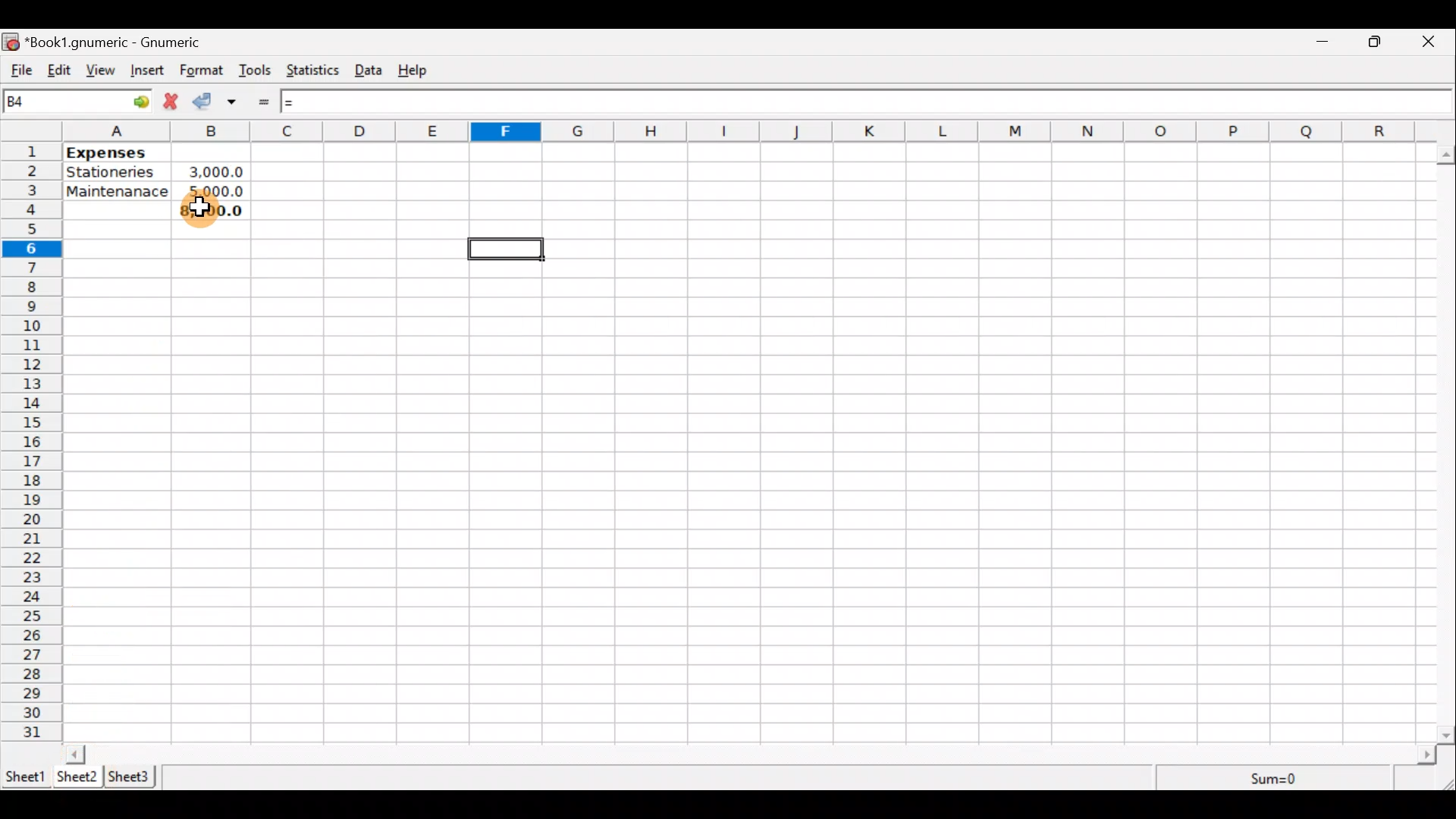 Image resolution: width=1456 pixels, height=819 pixels. Describe the element at coordinates (133, 777) in the screenshot. I see `Sheet 3` at that location.